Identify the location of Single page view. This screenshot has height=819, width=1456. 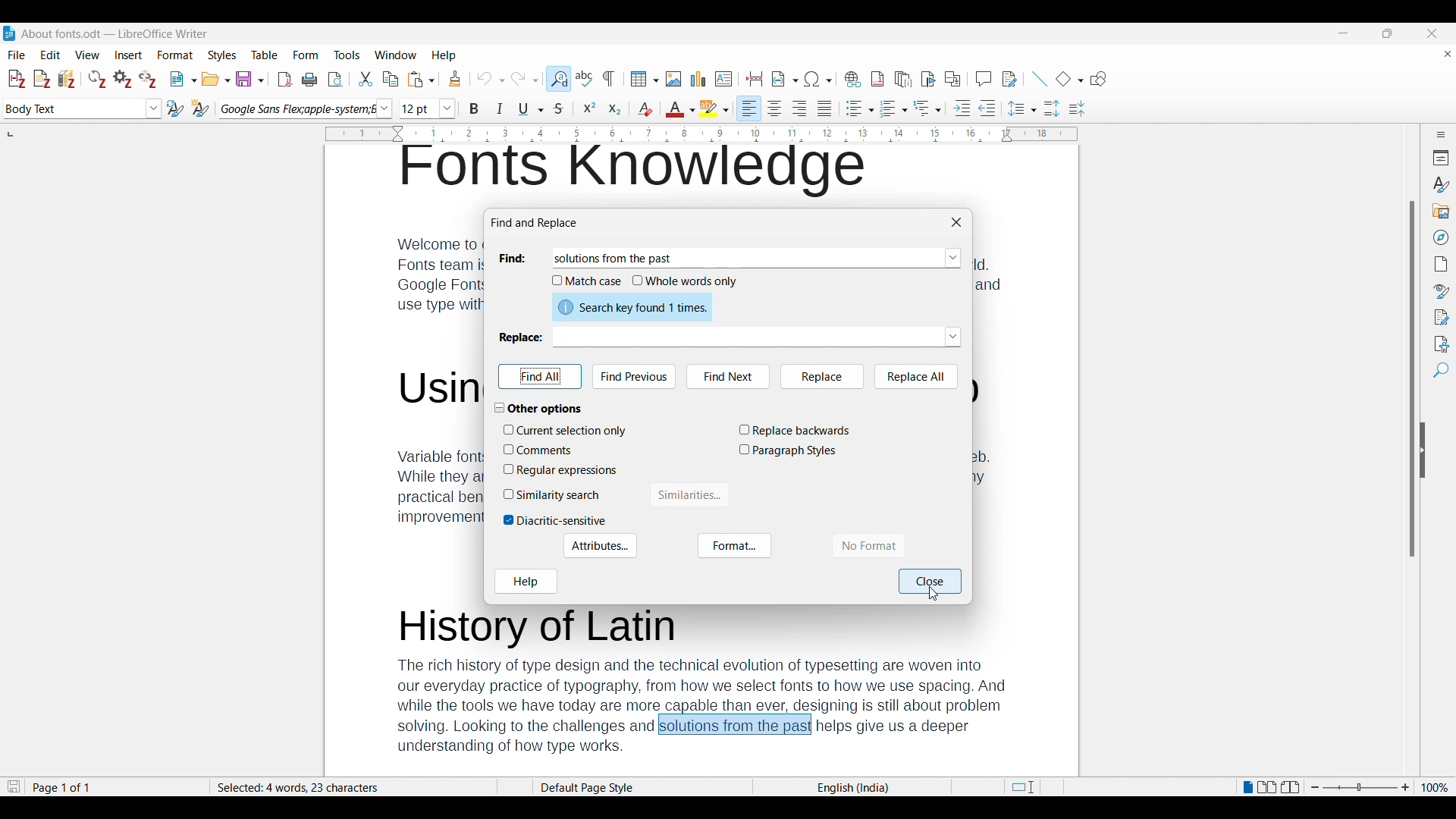
(1247, 788).